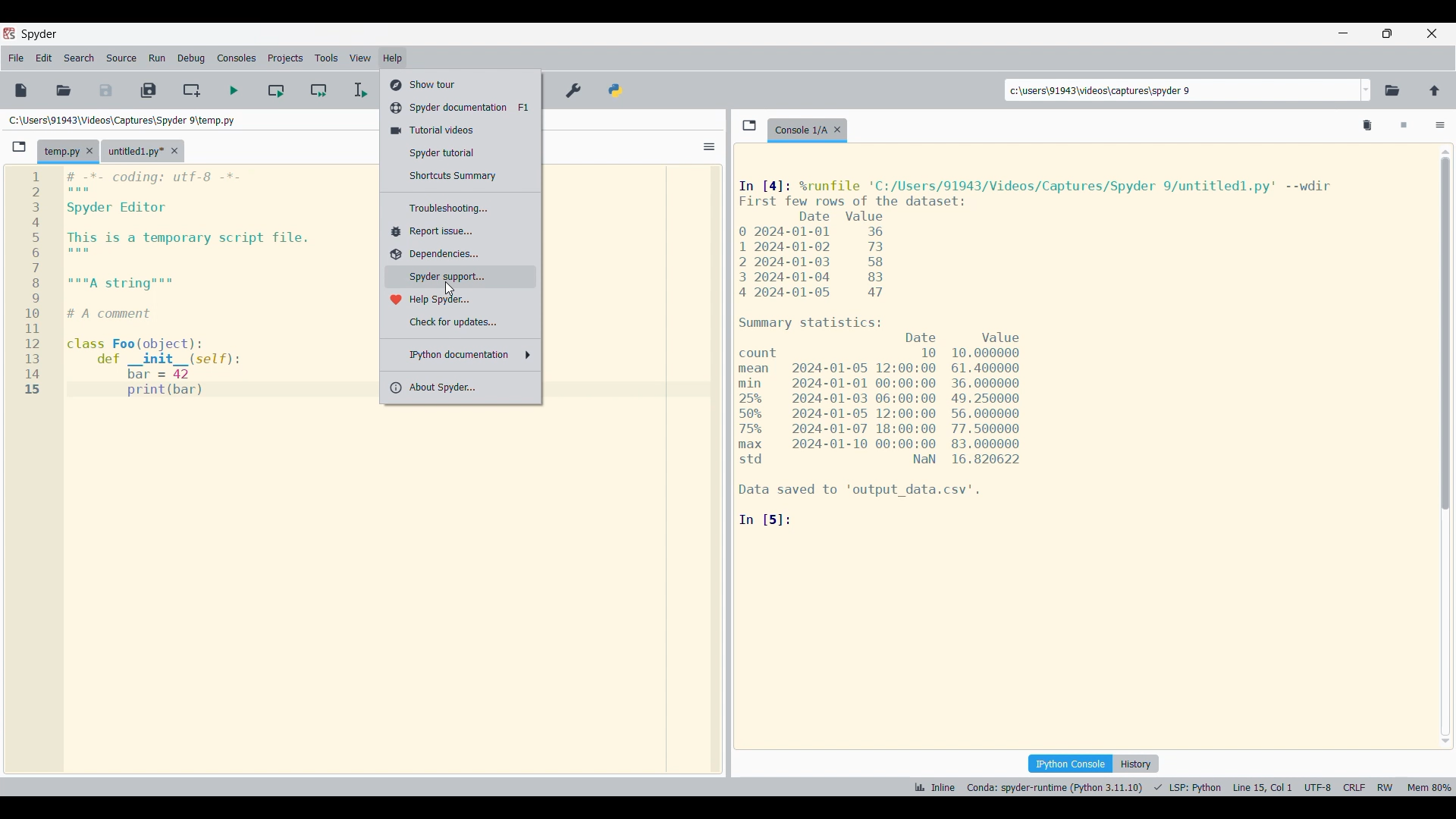 Image resolution: width=1456 pixels, height=819 pixels. Describe the element at coordinates (462, 255) in the screenshot. I see `Dependencies` at that location.